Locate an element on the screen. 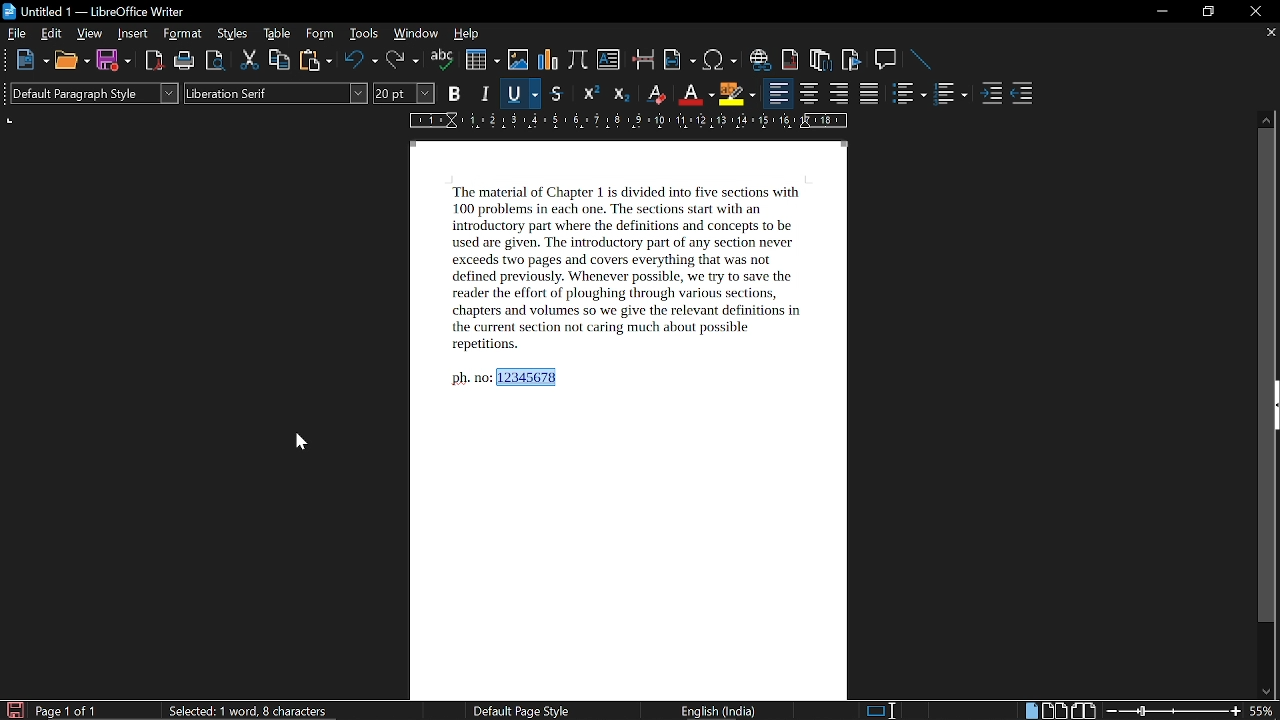  align center is located at coordinates (810, 95).